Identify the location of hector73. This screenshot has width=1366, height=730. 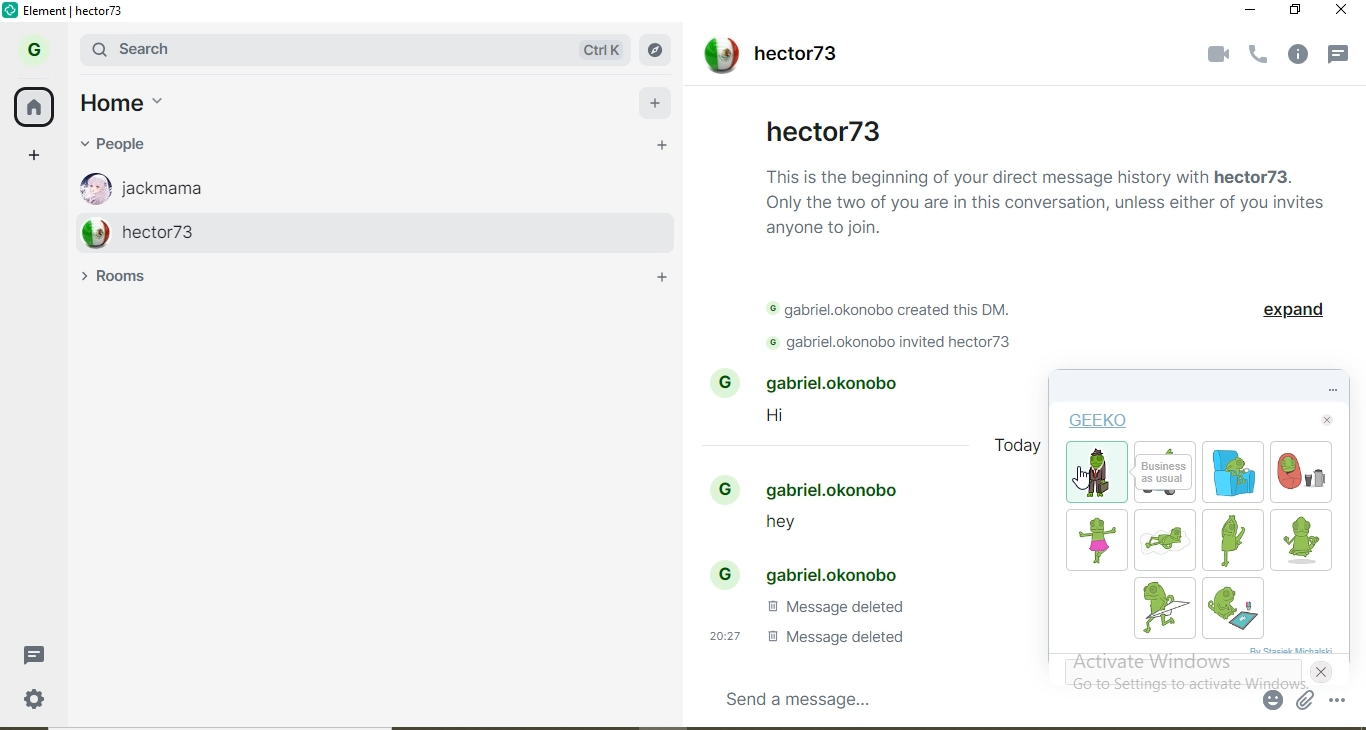
(824, 129).